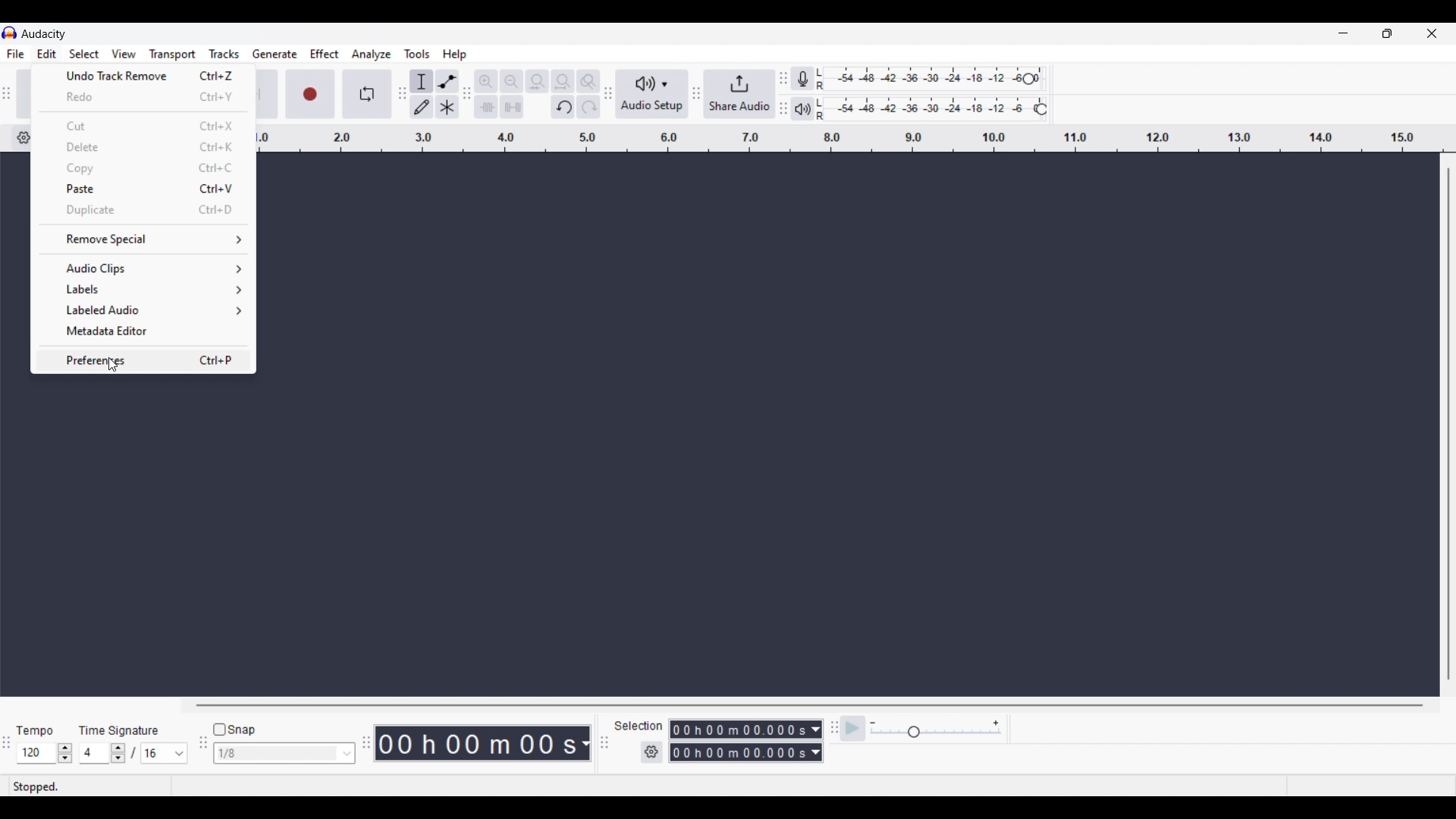 The image size is (1456, 819). I want to click on Cursor, so click(113, 365).